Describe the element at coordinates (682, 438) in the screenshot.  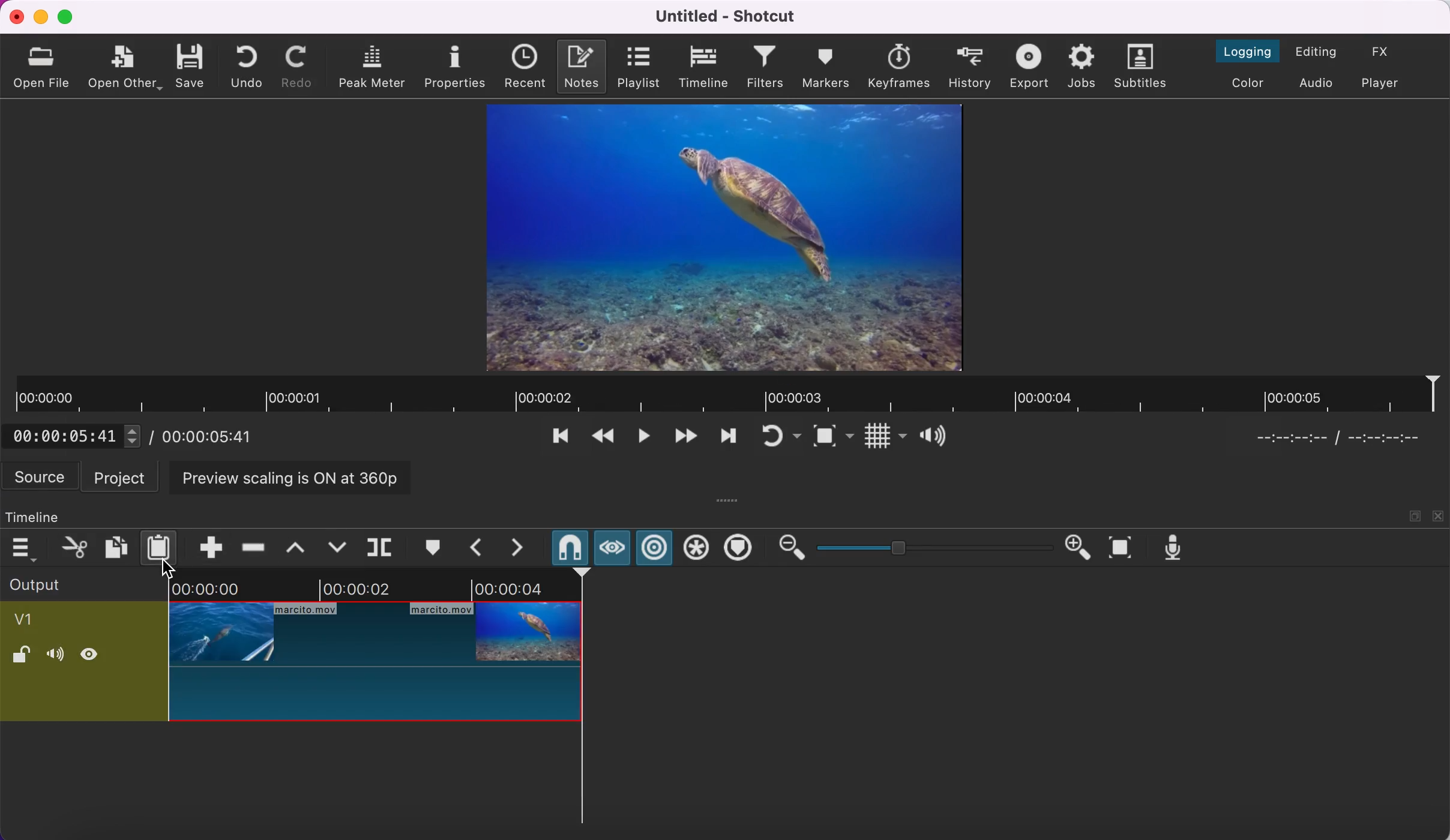
I see `play quickly forwards` at that location.